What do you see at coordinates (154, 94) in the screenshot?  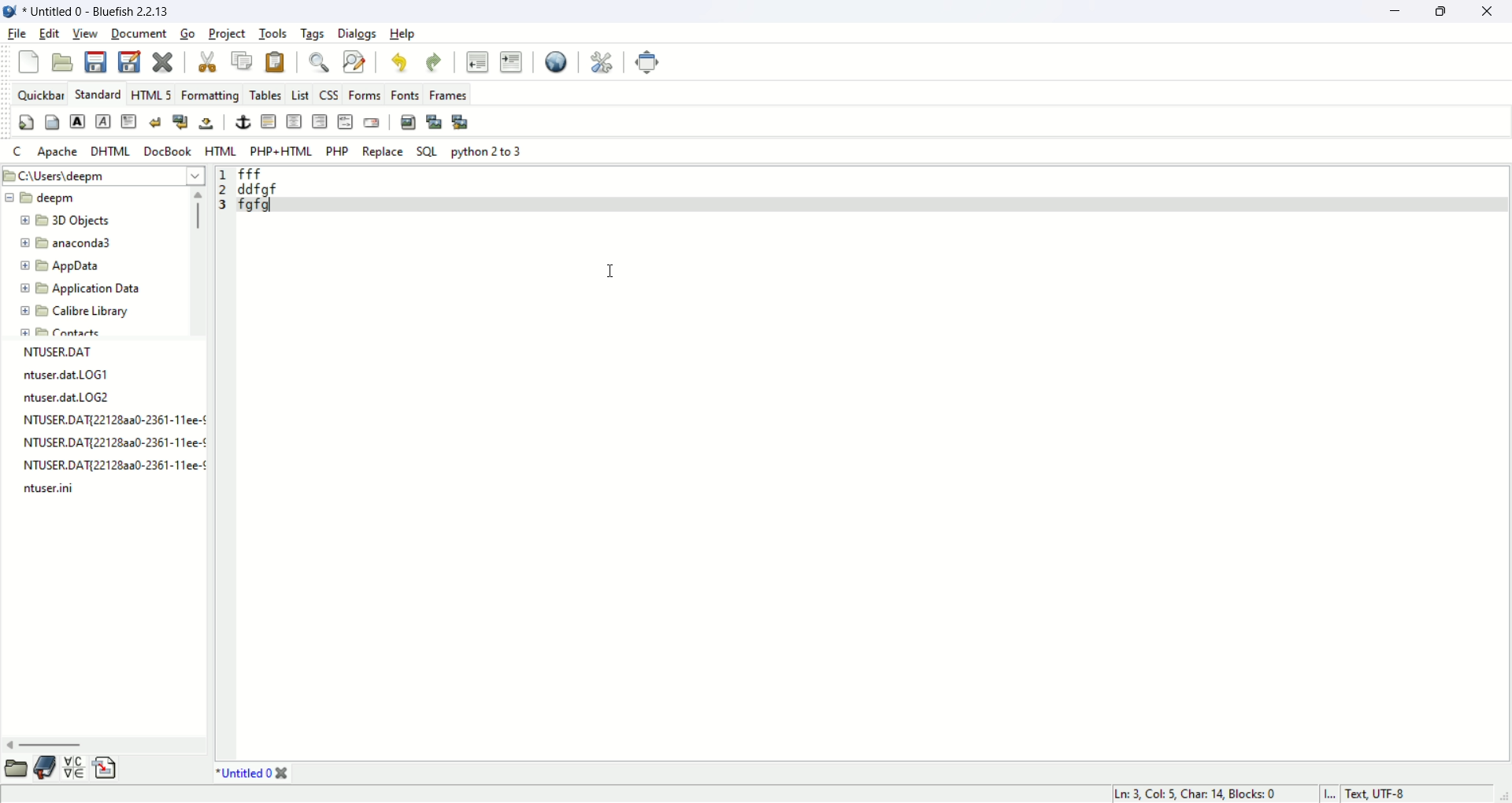 I see `HTML 5` at bounding box center [154, 94].